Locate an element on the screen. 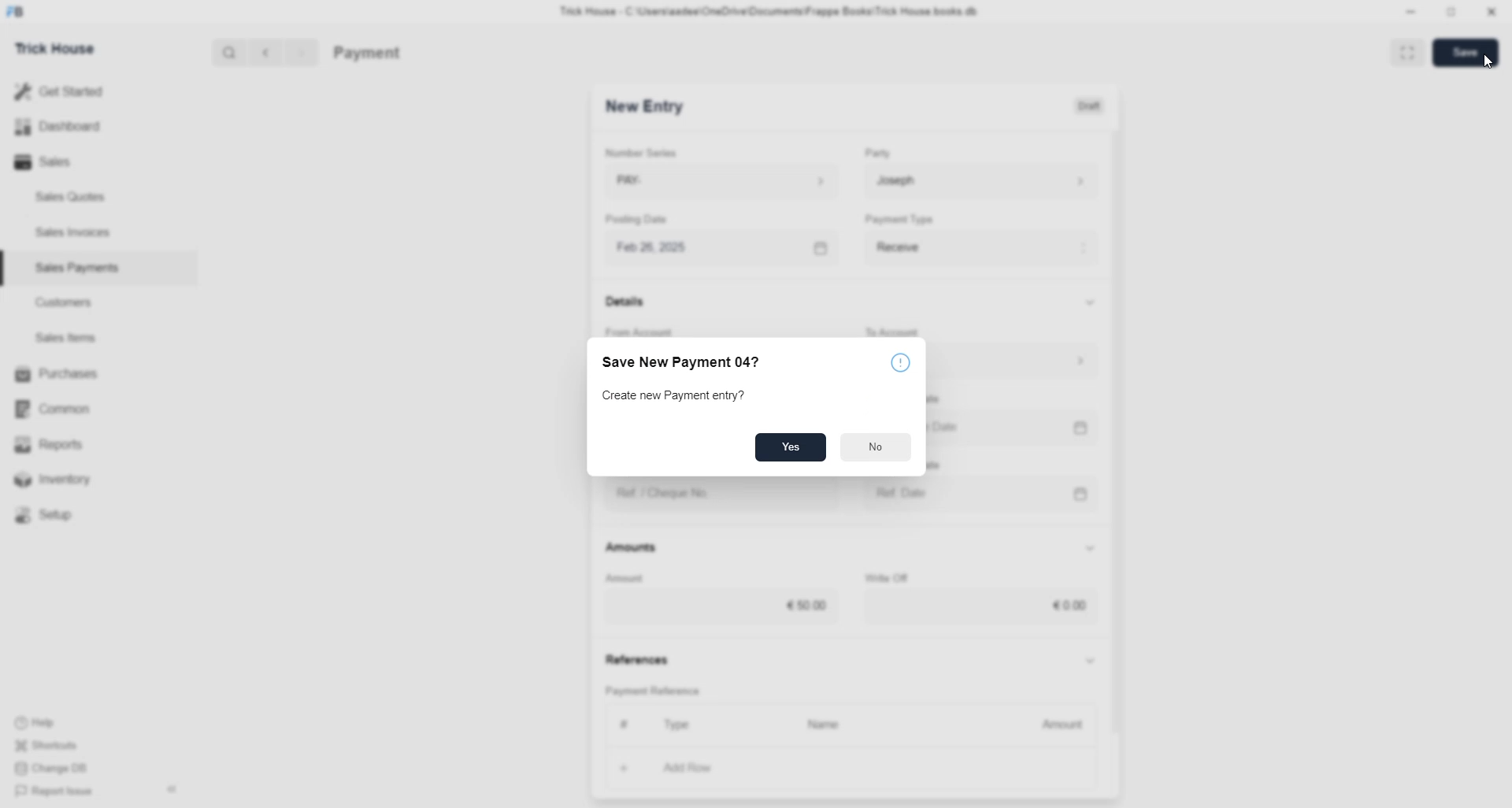 Image resolution: width=1512 pixels, height=808 pixels. Show/Hide is located at coordinates (1091, 662).